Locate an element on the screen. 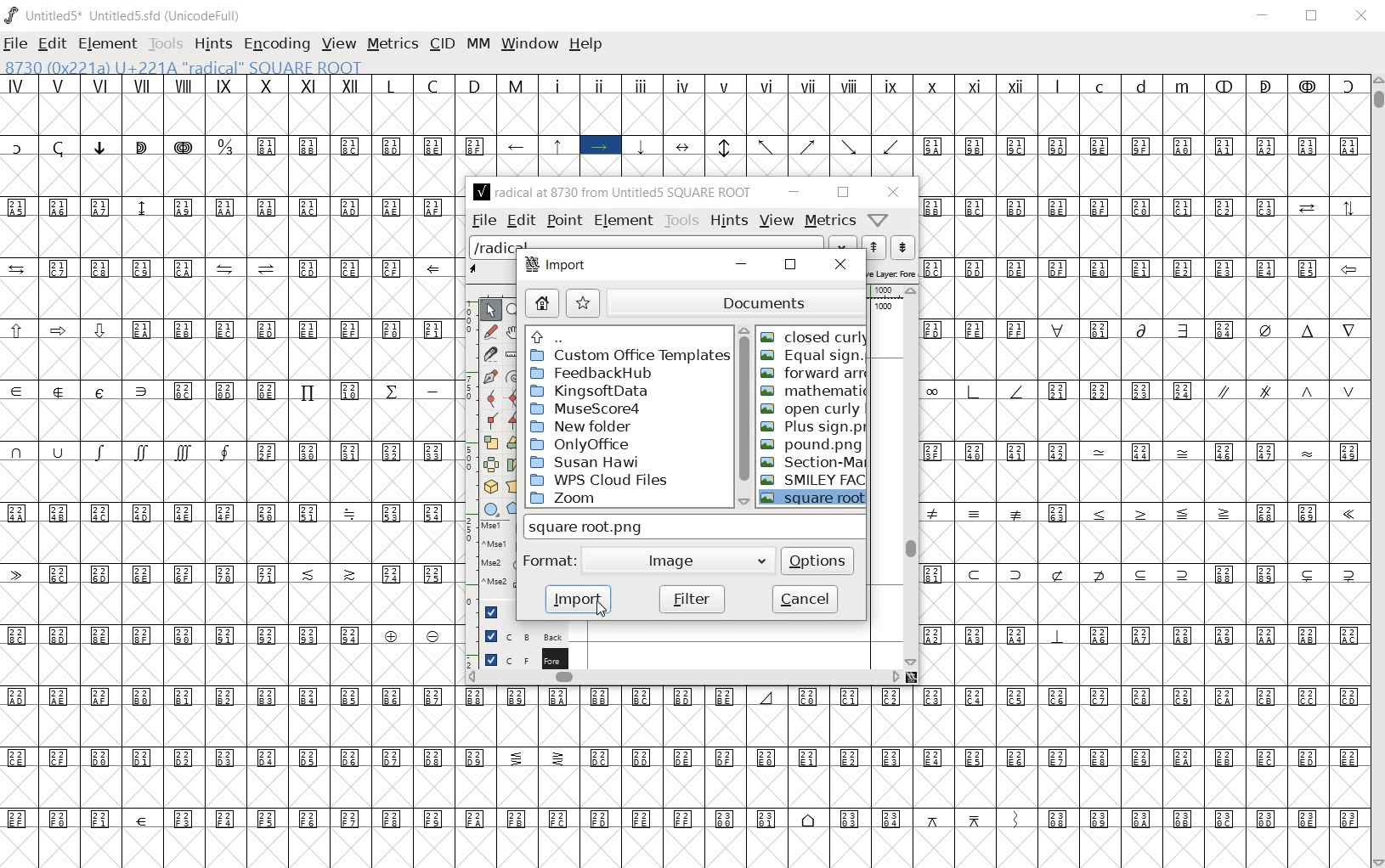 The height and width of the screenshot is (868, 1385). 8730 (0x221a) U+221A "radical" SQUARE ROOT is located at coordinates (226, 67).